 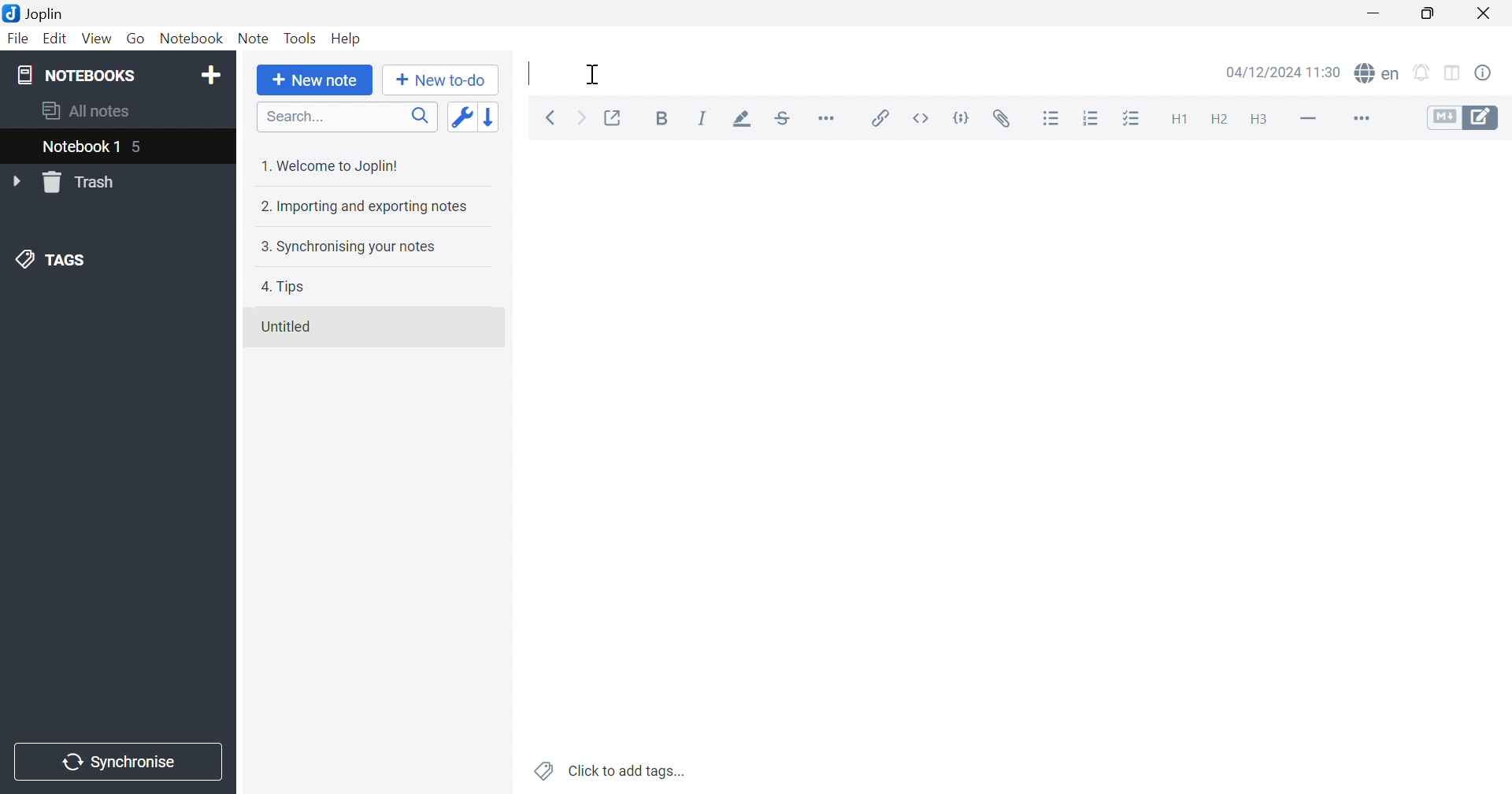 I want to click on Heading 2, so click(x=1217, y=117).